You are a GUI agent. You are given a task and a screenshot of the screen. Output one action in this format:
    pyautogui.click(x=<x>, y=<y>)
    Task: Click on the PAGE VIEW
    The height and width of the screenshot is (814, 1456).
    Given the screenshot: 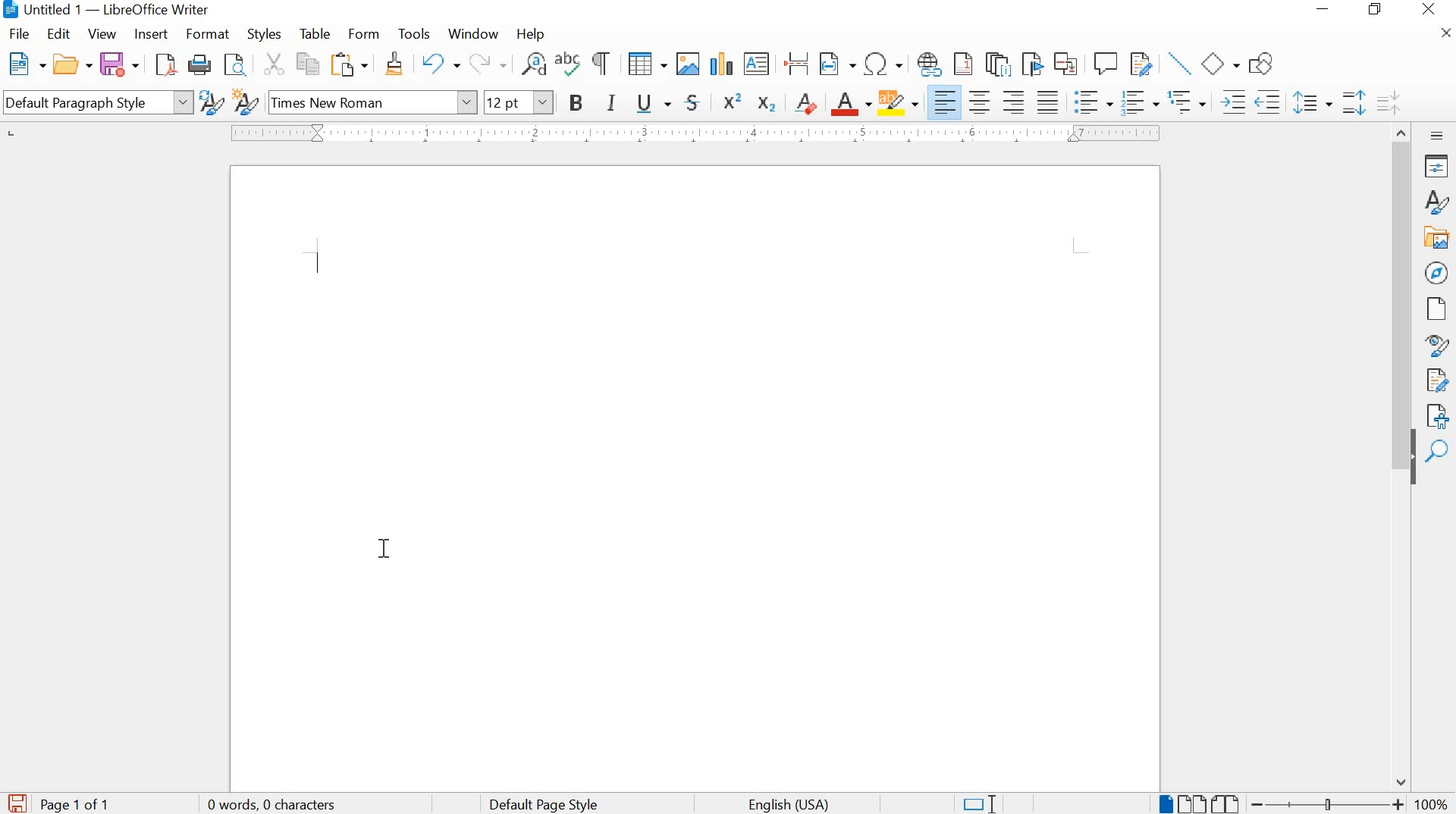 What is the action you would take?
    pyautogui.click(x=1200, y=802)
    